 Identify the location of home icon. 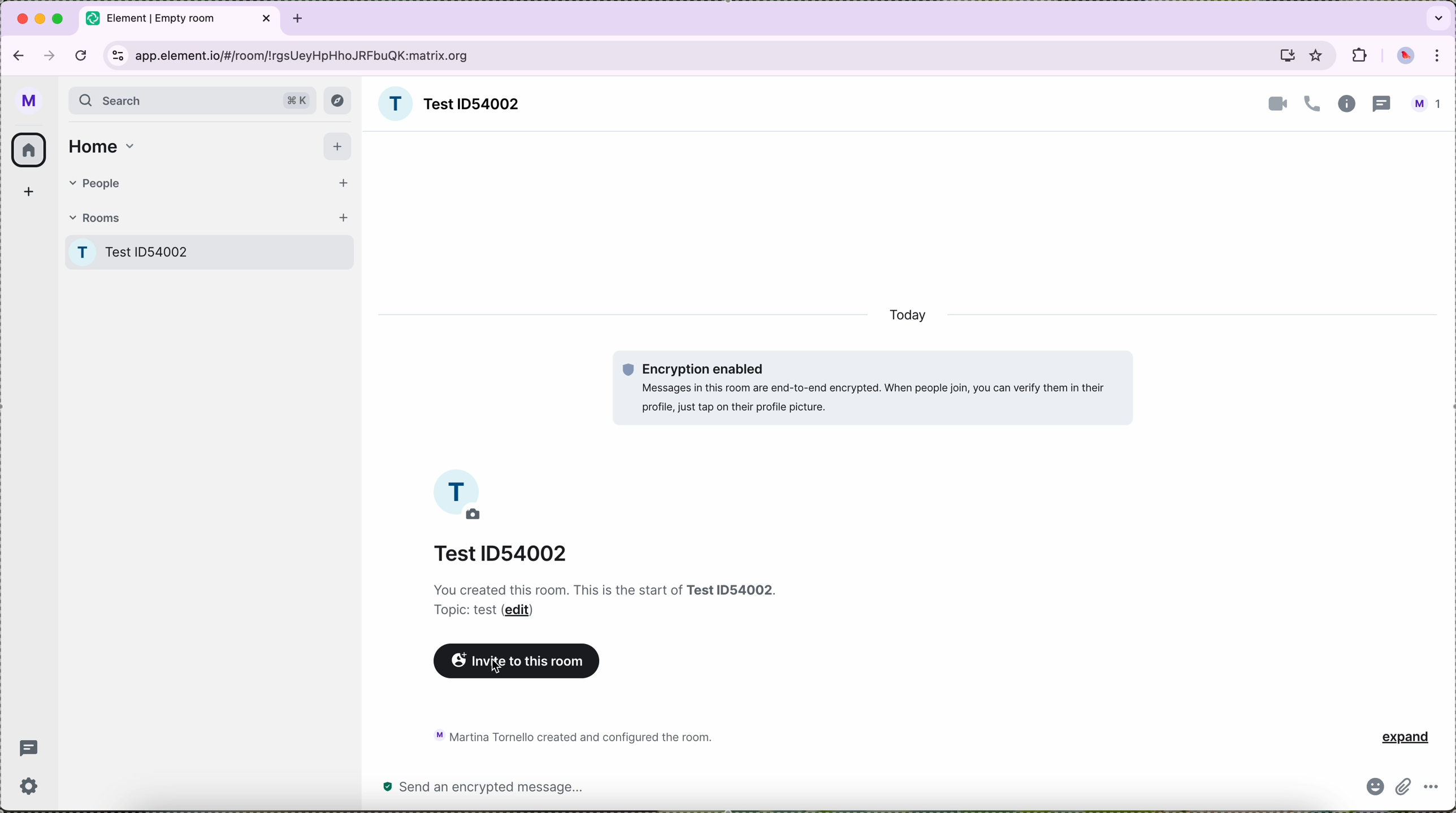
(31, 148).